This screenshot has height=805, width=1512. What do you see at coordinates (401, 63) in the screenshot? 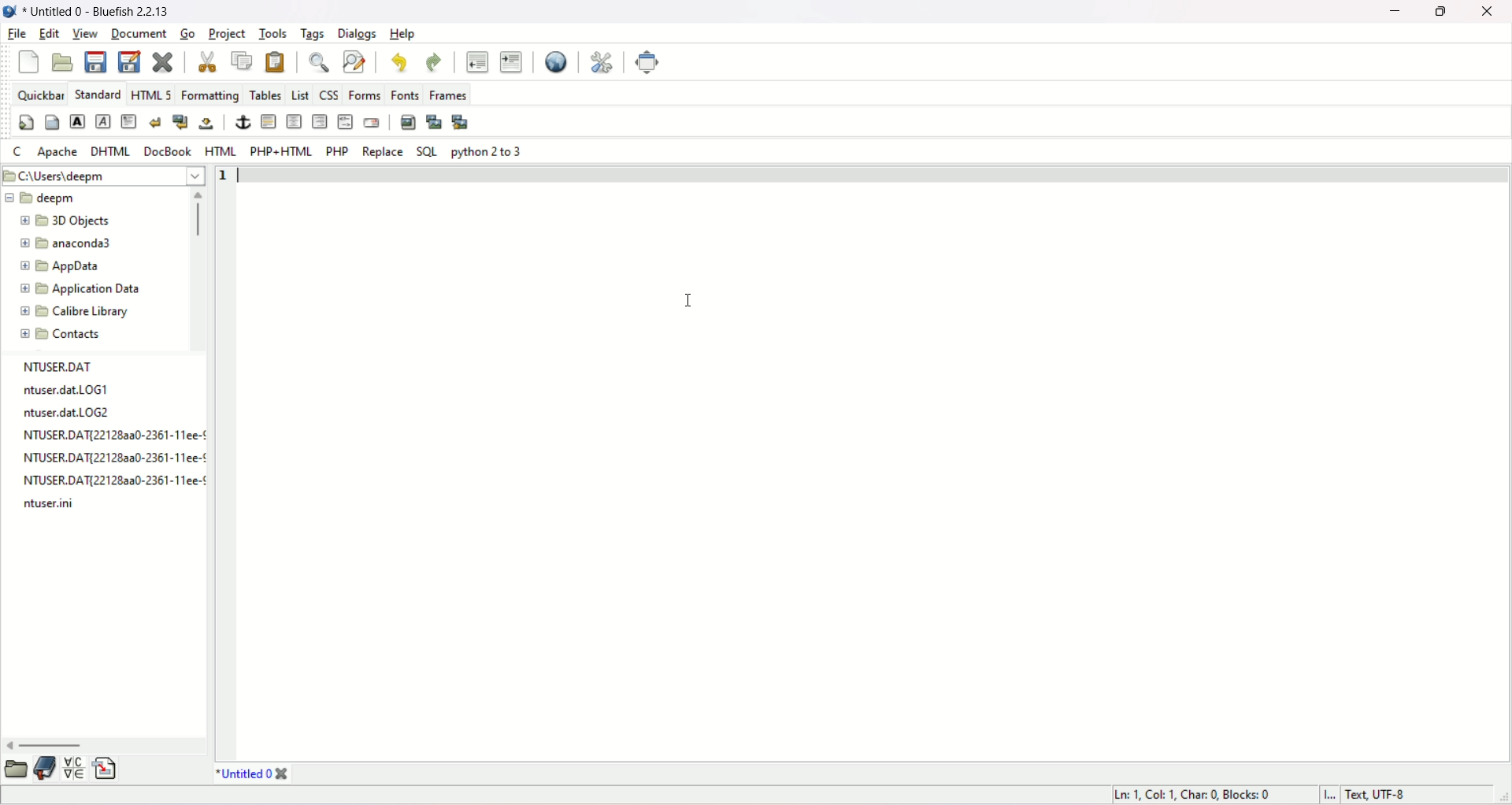
I see `undo` at bounding box center [401, 63].